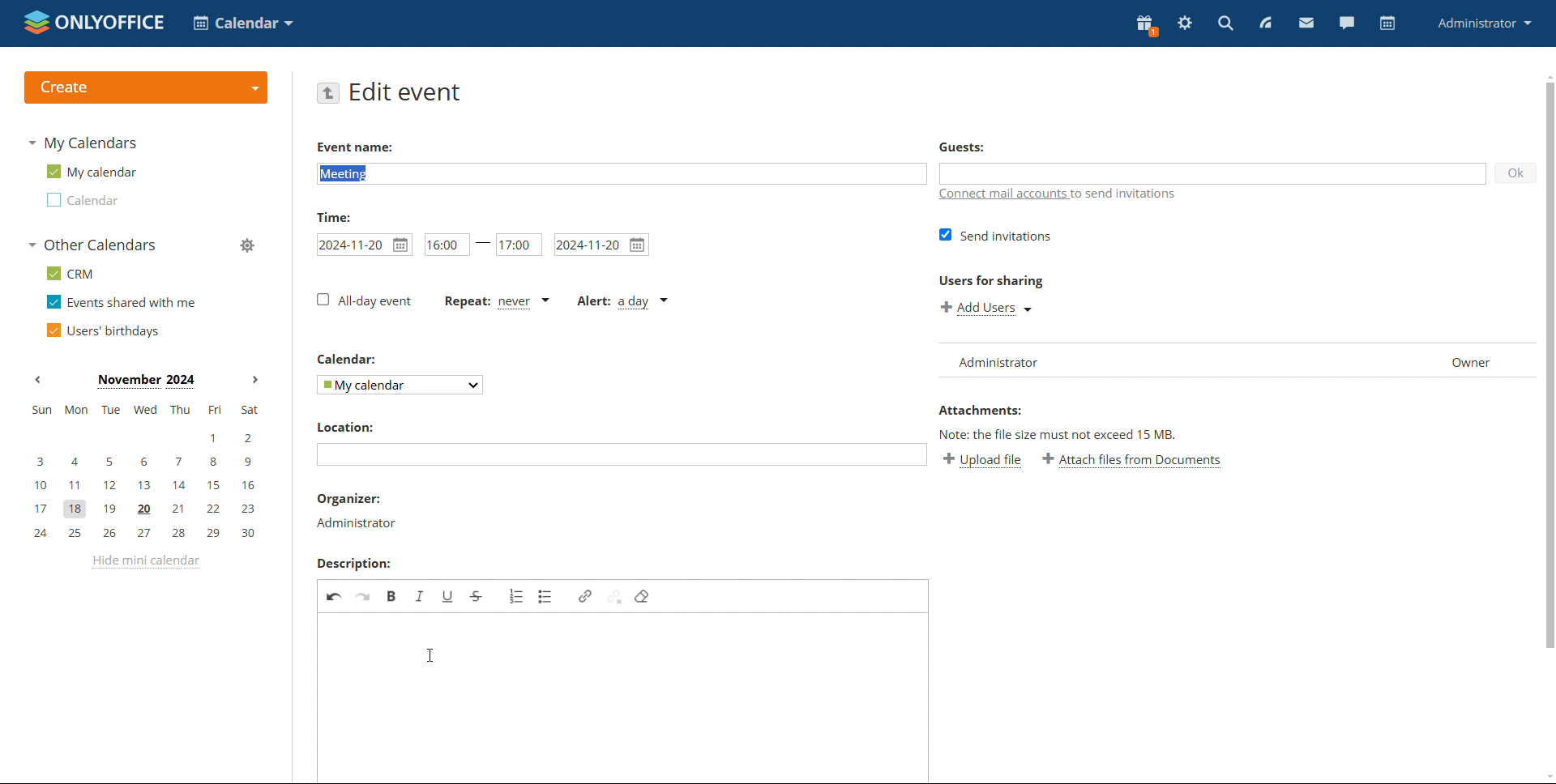 The image size is (1556, 784). I want to click on ok, so click(1515, 173).